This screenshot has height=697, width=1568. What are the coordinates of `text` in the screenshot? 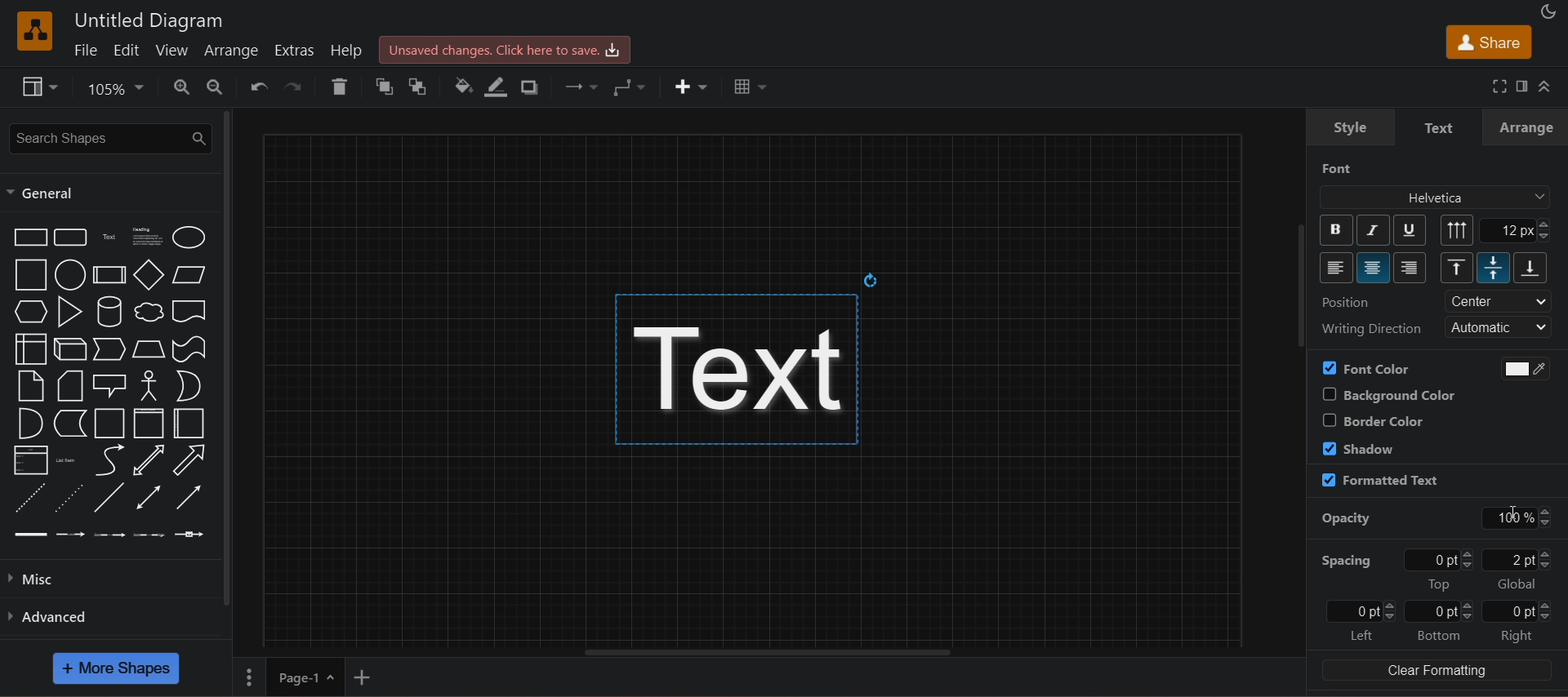 It's located at (112, 237).